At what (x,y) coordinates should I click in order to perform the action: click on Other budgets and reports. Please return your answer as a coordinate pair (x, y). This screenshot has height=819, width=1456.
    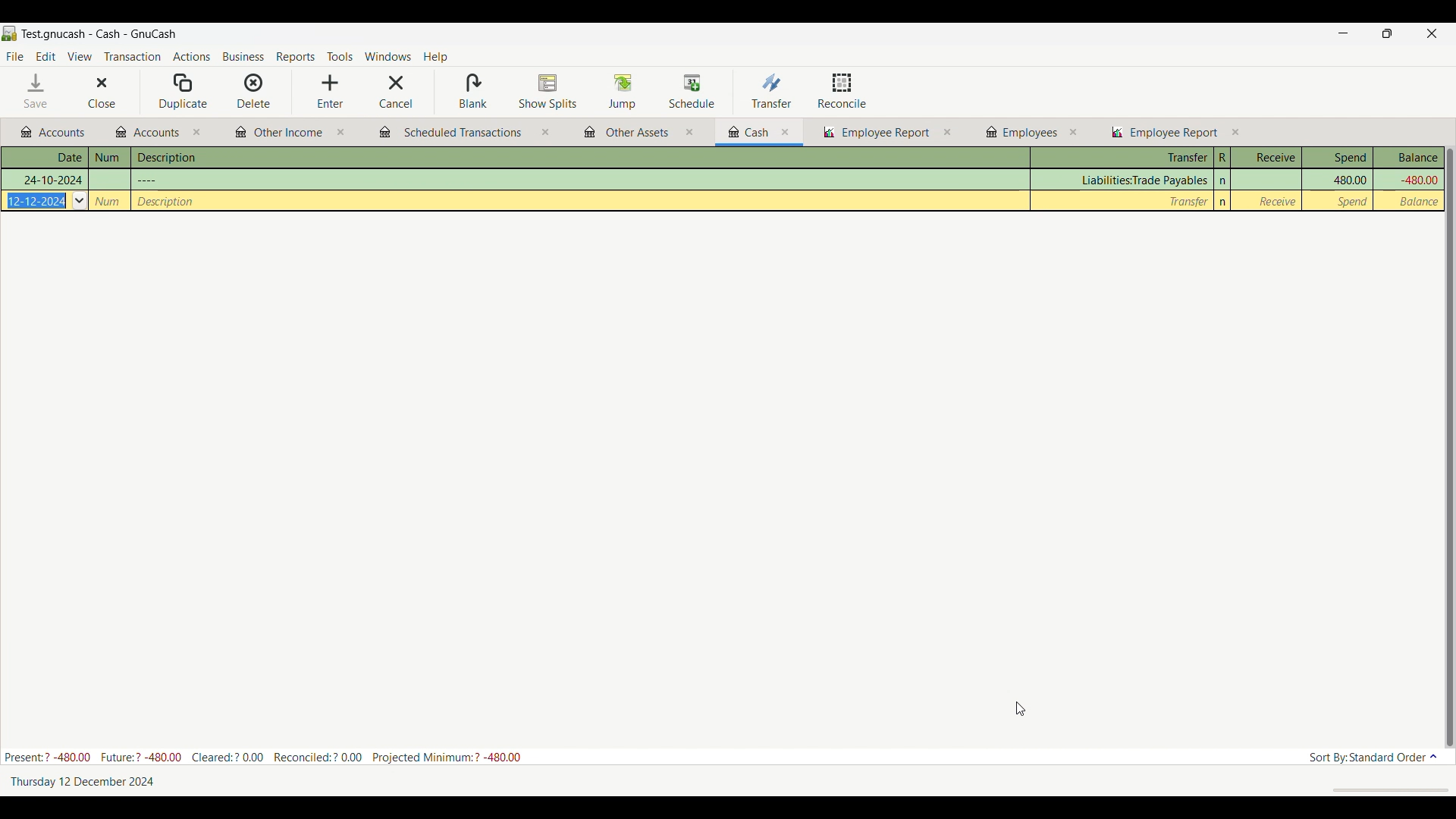
    Looking at the image, I should click on (628, 133).